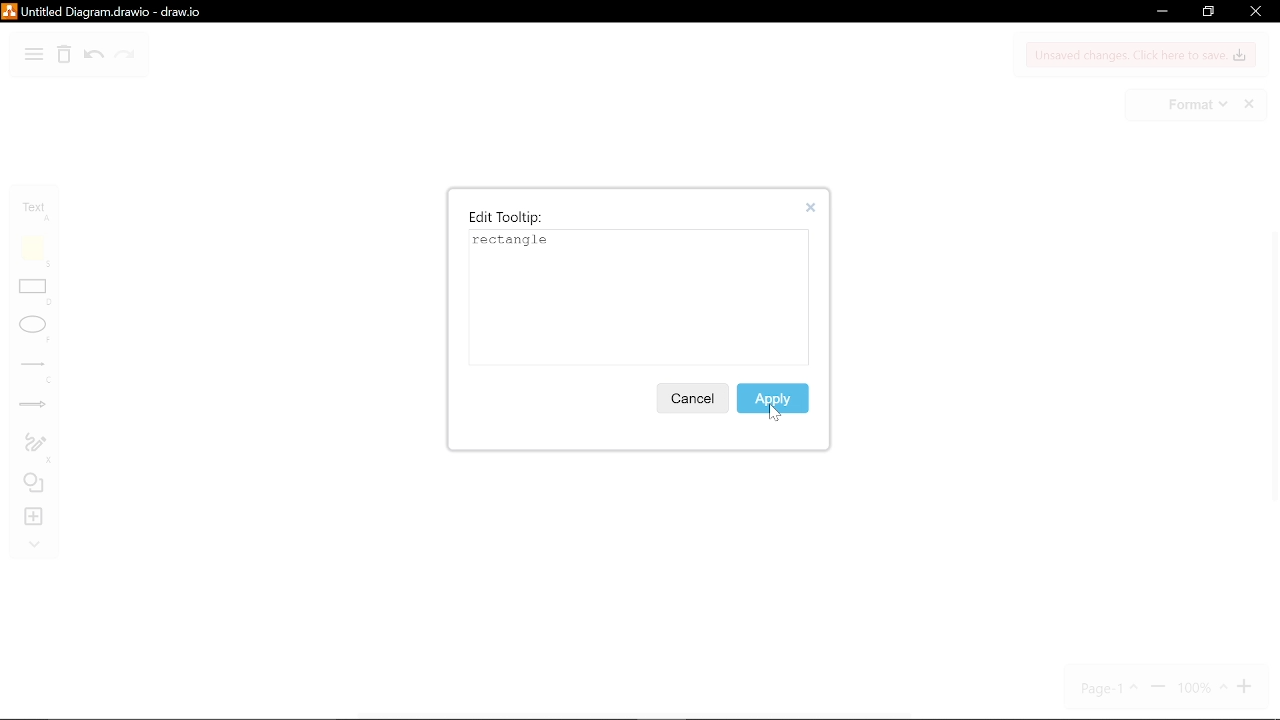 Image resolution: width=1280 pixels, height=720 pixels. Describe the element at coordinates (1158, 688) in the screenshot. I see `zoom out` at that location.